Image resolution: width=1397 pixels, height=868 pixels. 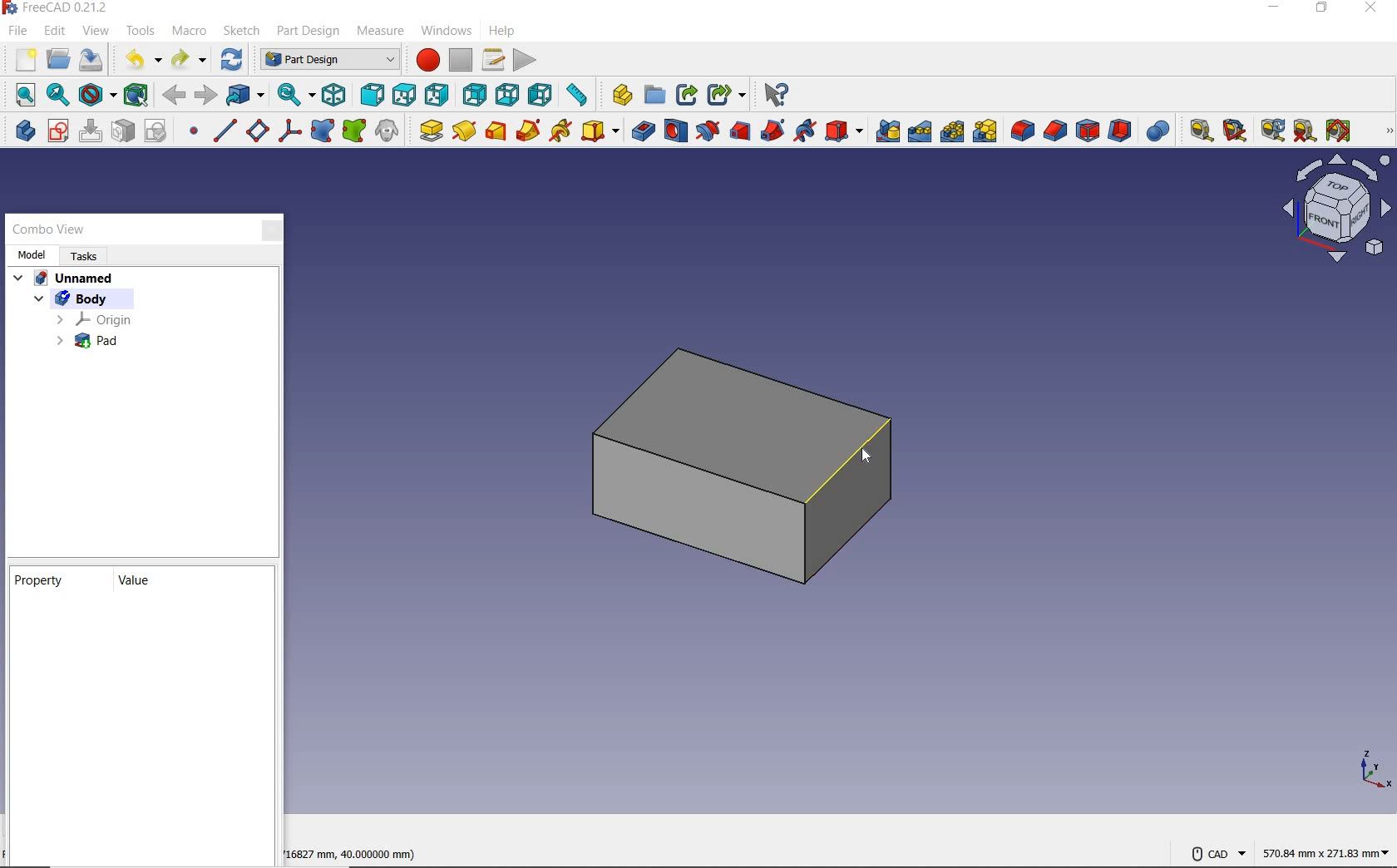 What do you see at coordinates (739, 131) in the screenshot?
I see `subtractive loft` at bounding box center [739, 131].